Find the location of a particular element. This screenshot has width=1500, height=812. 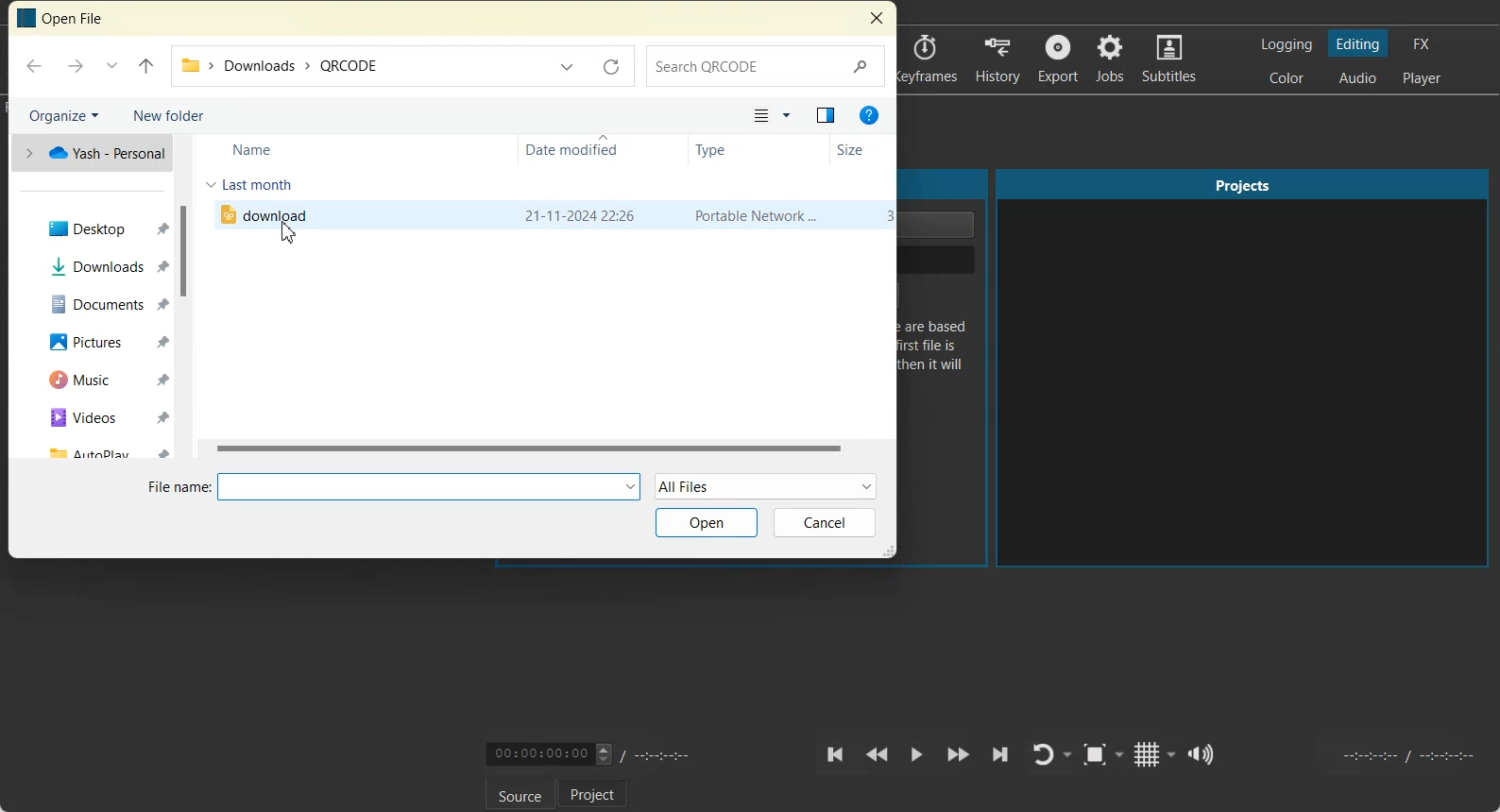

Source is located at coordinates (520, 794).